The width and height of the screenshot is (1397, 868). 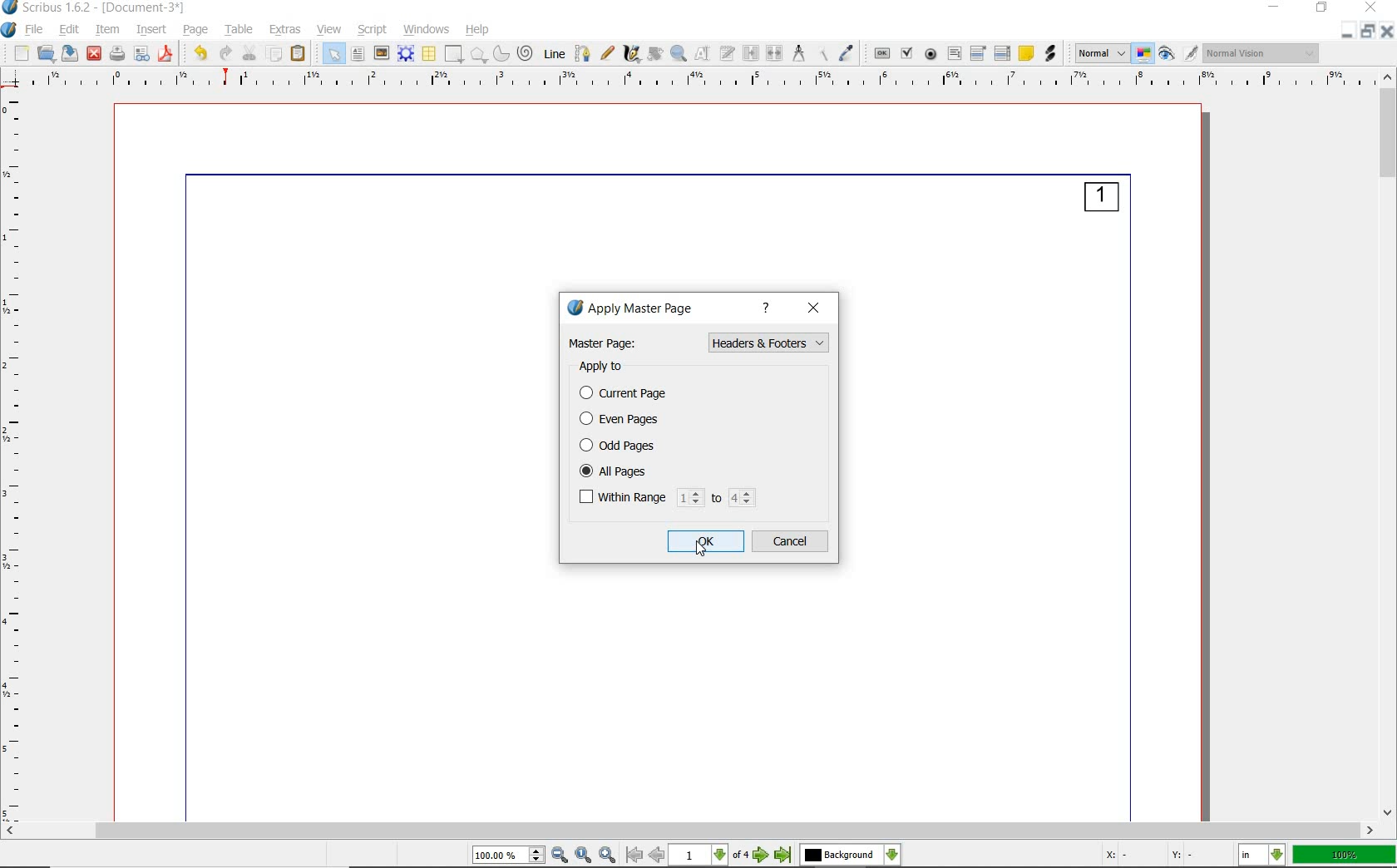 I want to click on close, so click(x=814, y=309).